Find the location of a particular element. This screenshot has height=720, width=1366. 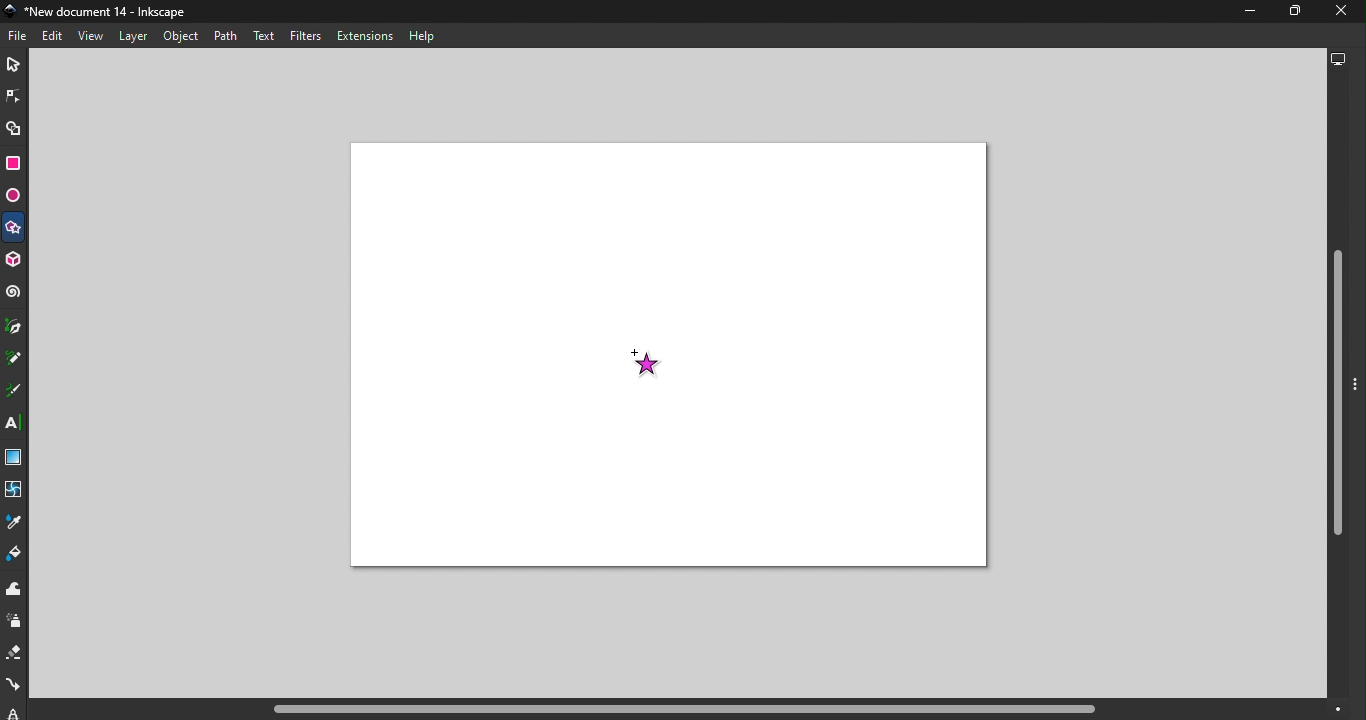

Dropper tool is located at coordinates (14, 525).